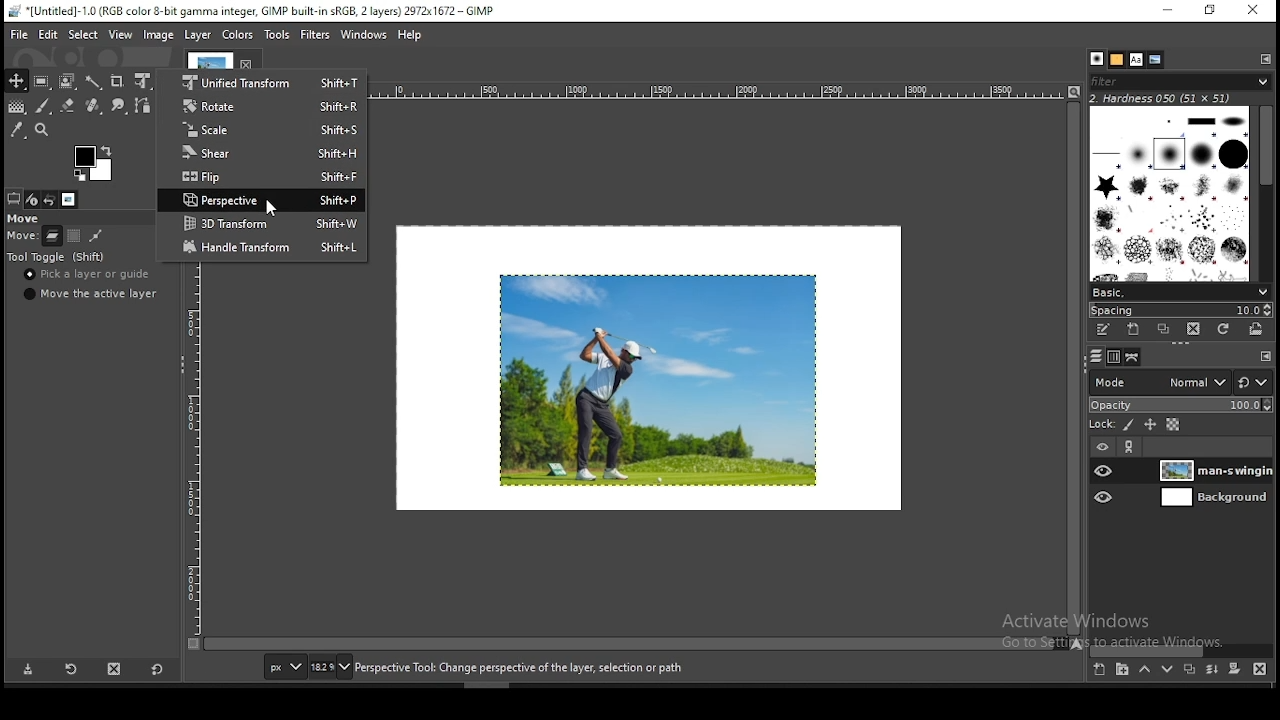  What do you see at coordinates (1135, 58) in the screenshot?
I see `fonts` at bounding box center [1135, 58].